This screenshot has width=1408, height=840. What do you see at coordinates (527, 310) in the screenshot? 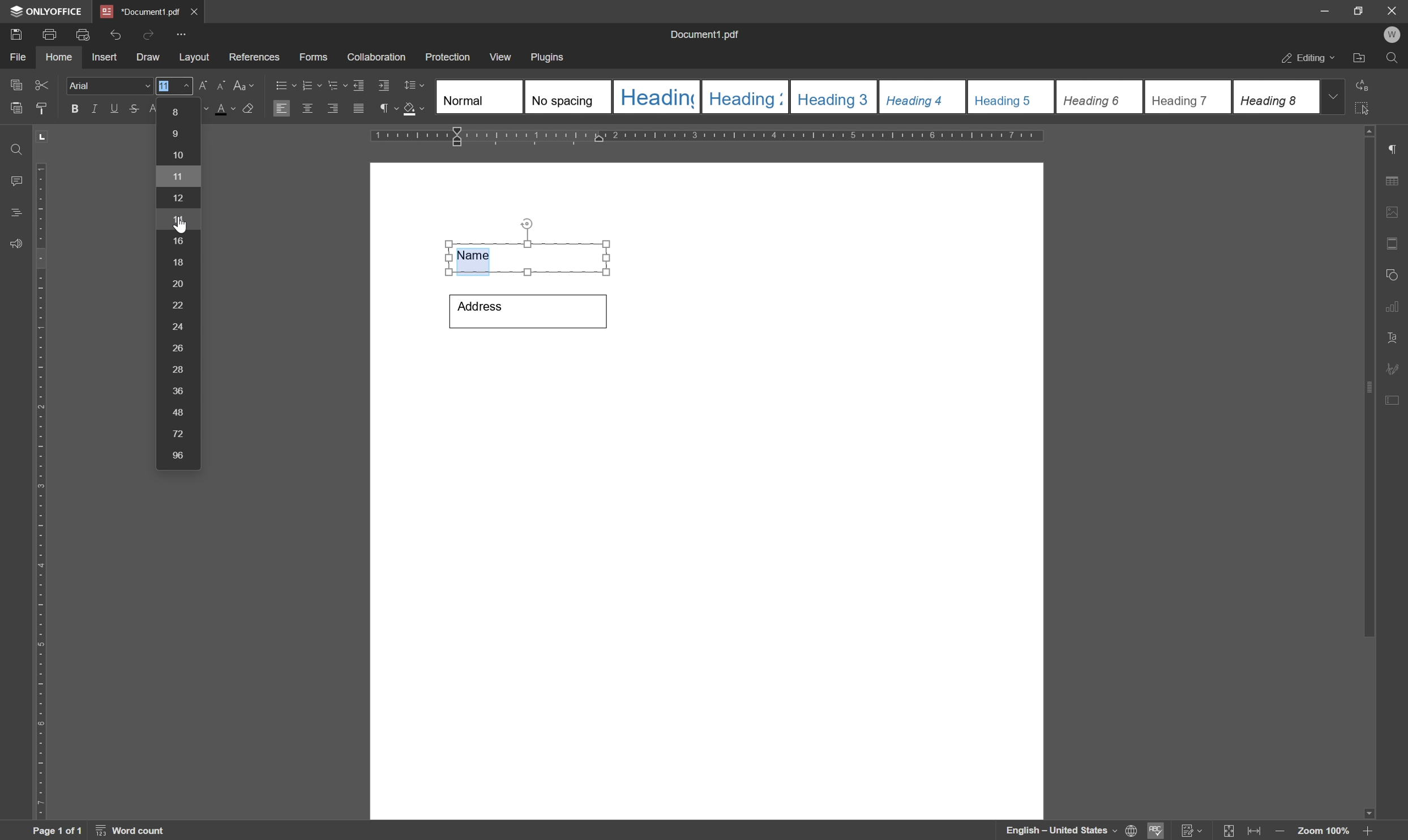
I see `Address` at bounding box center [527, 310].